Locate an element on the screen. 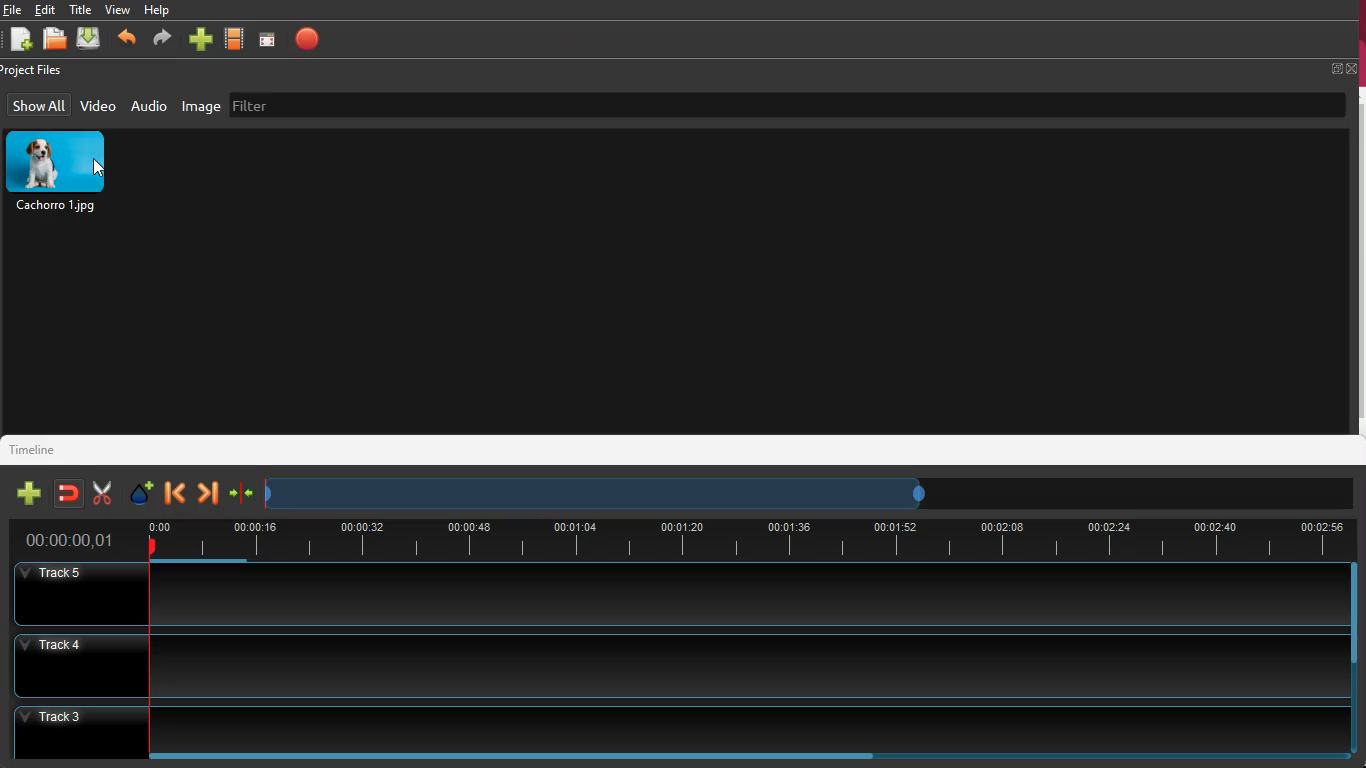  track4 is located at coordinates (669, 663).